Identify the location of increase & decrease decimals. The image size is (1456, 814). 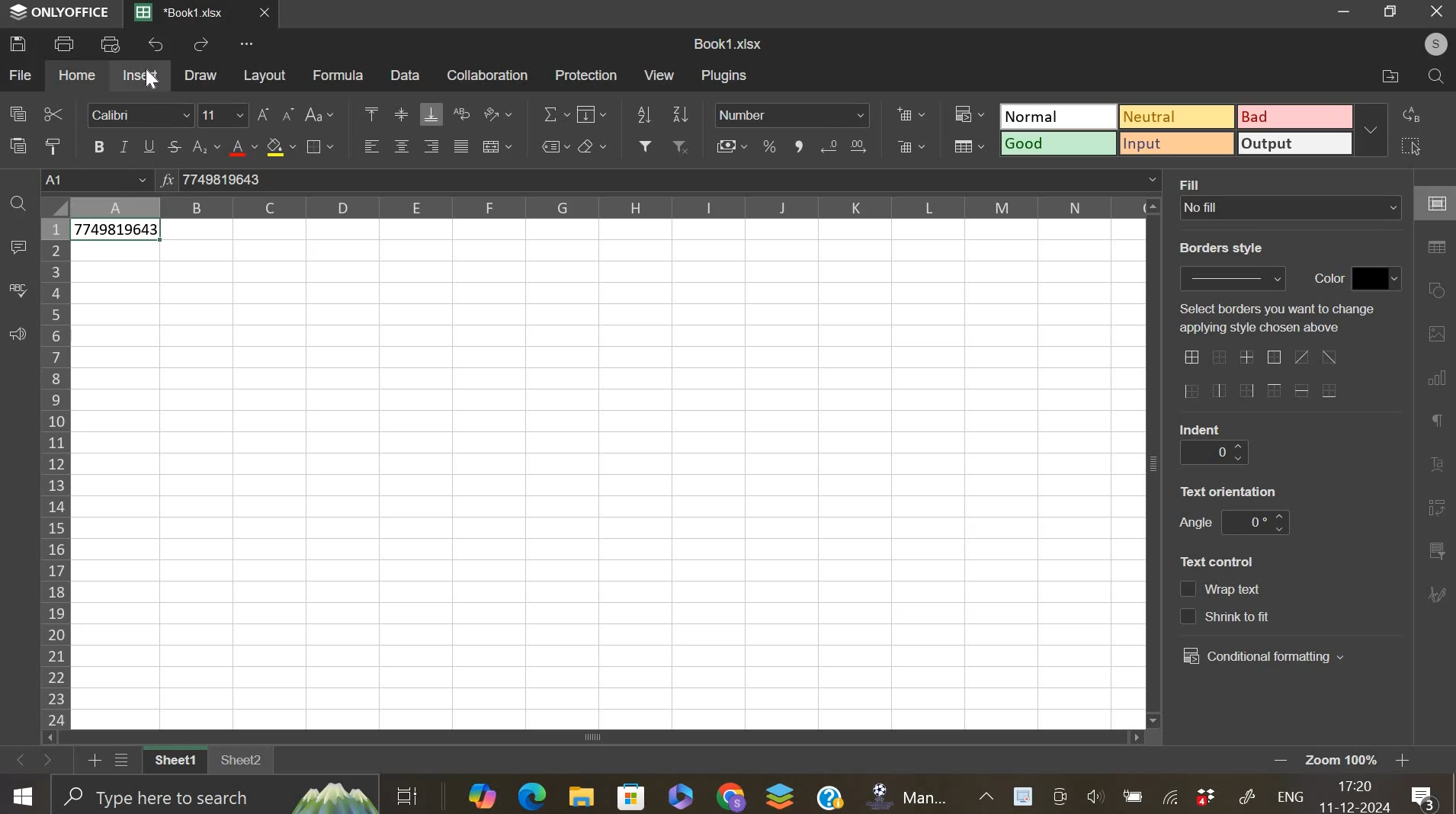
(845, 146).